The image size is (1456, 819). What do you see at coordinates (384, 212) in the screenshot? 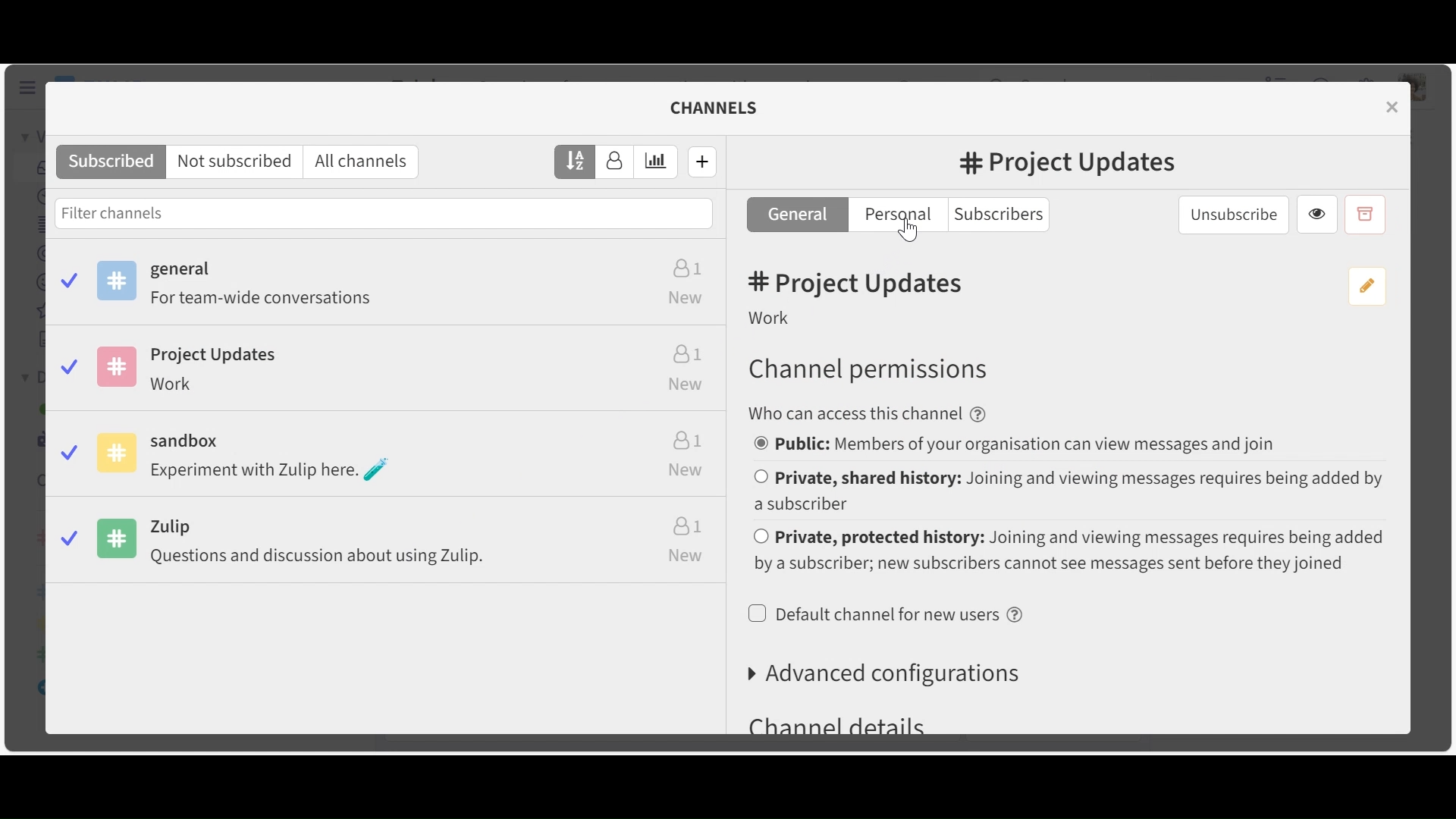
I see `Filter channels` at bounding box center [384, 212].